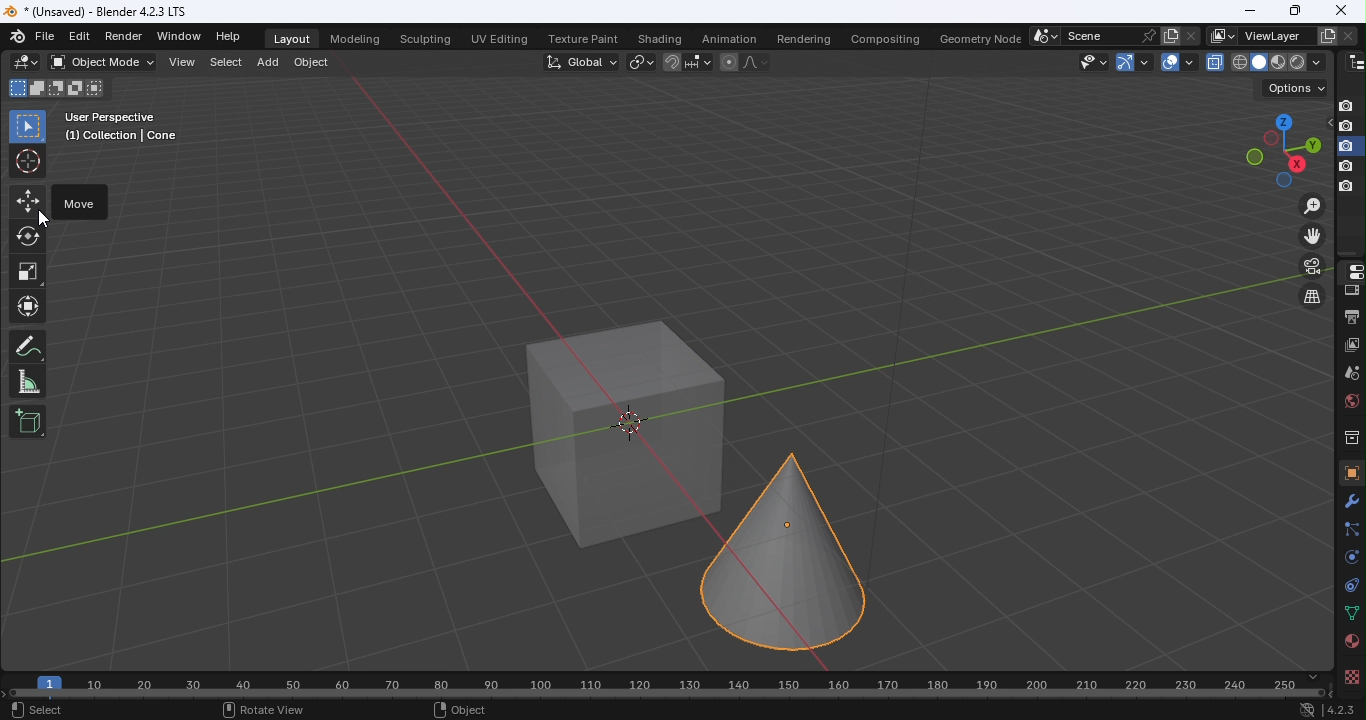  Describe the element at coordinates (27, 349) in the screenshot. I see `Annotate` at that location.